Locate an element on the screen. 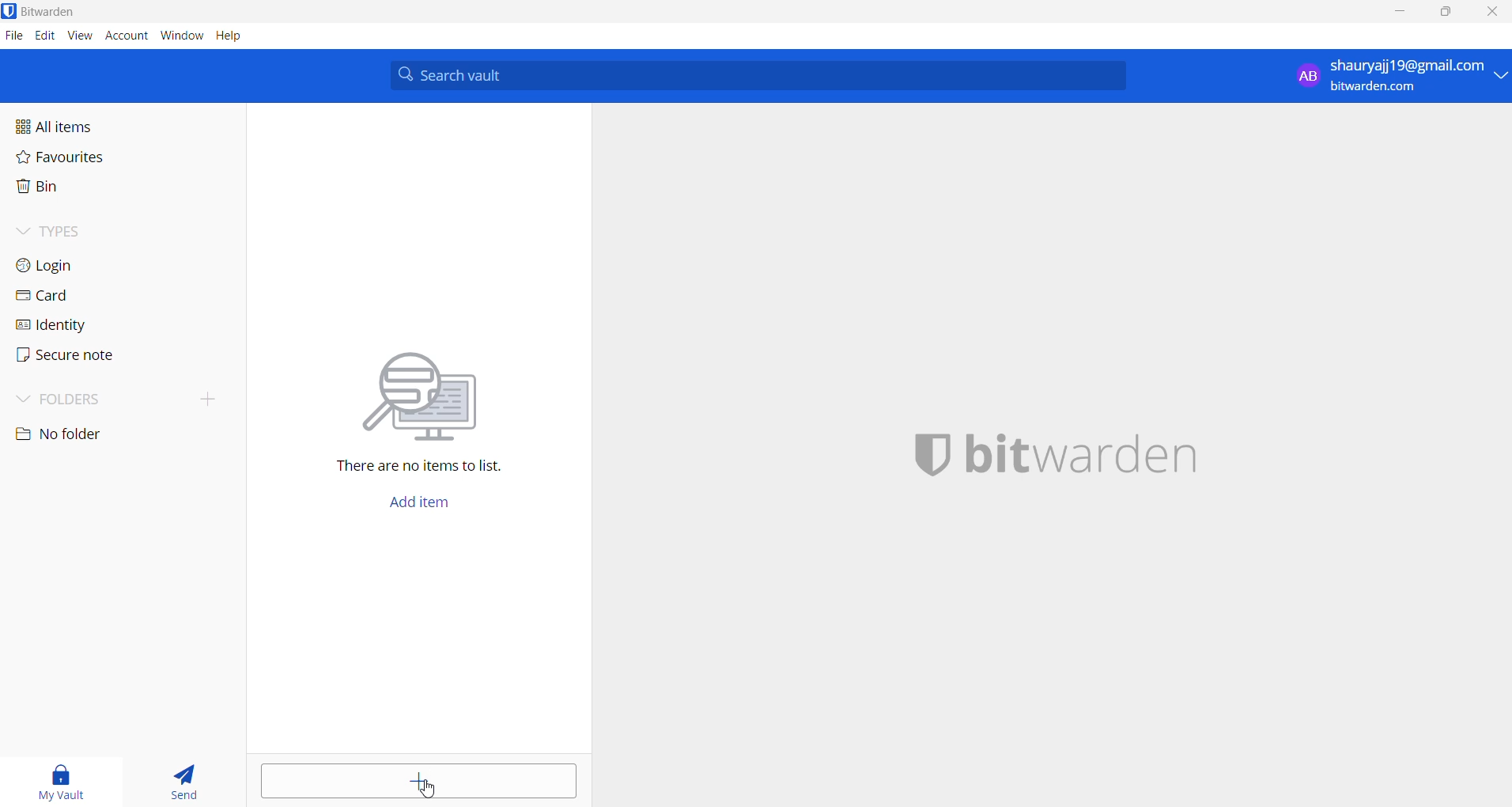  add entry is located at coordinates (419, 781).